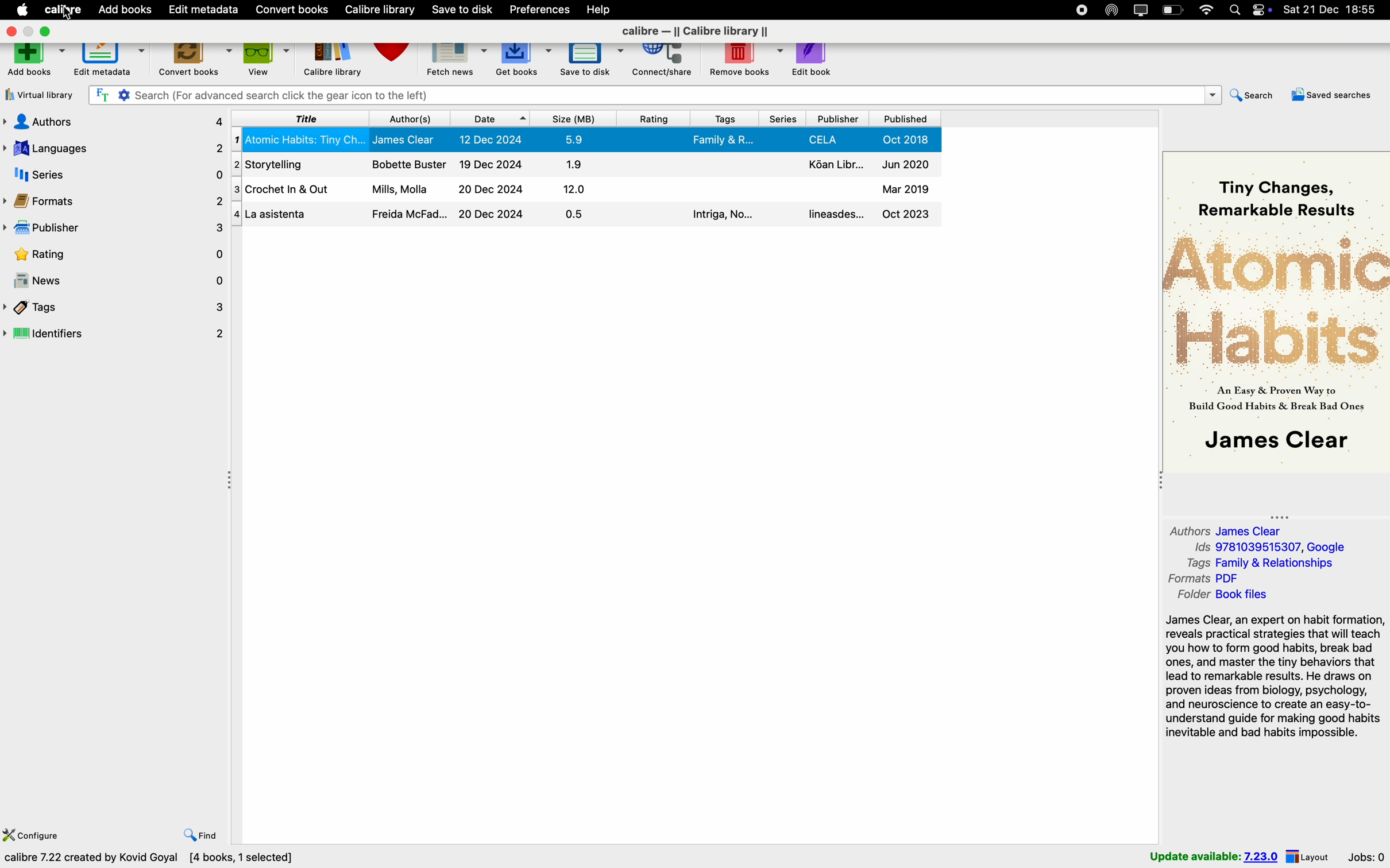  I want to click on Storytelling book details, so click(584, 164).